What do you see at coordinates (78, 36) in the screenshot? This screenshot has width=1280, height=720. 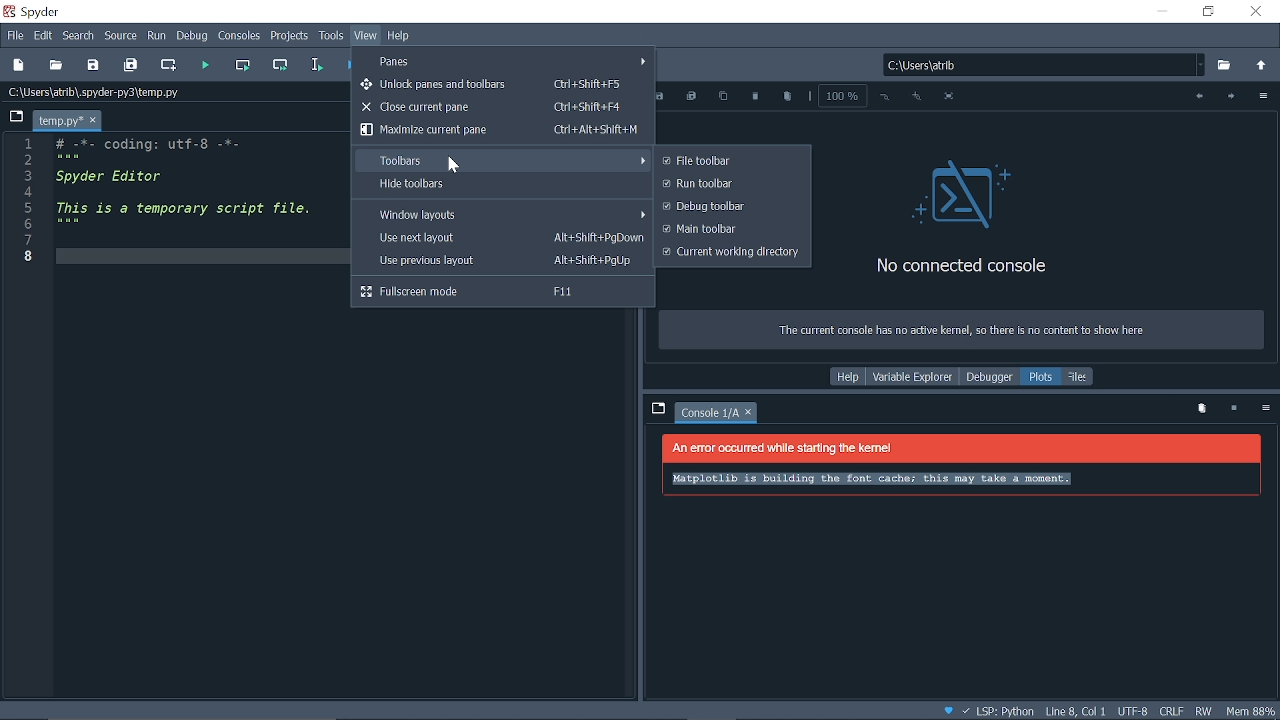 I see `Search` at bounding box center [78, 36].